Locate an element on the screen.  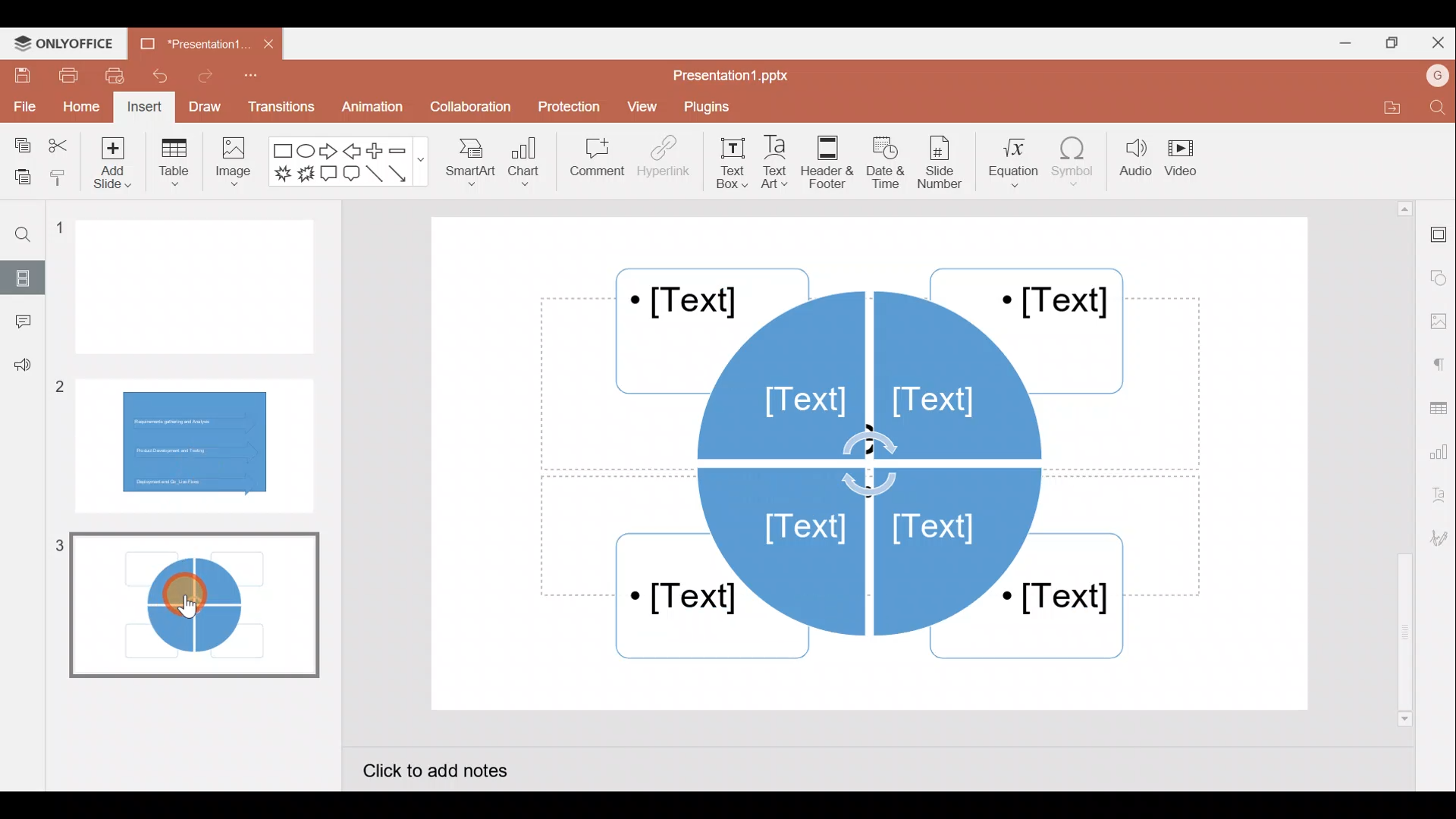
View is located at coordinates (642, 108).